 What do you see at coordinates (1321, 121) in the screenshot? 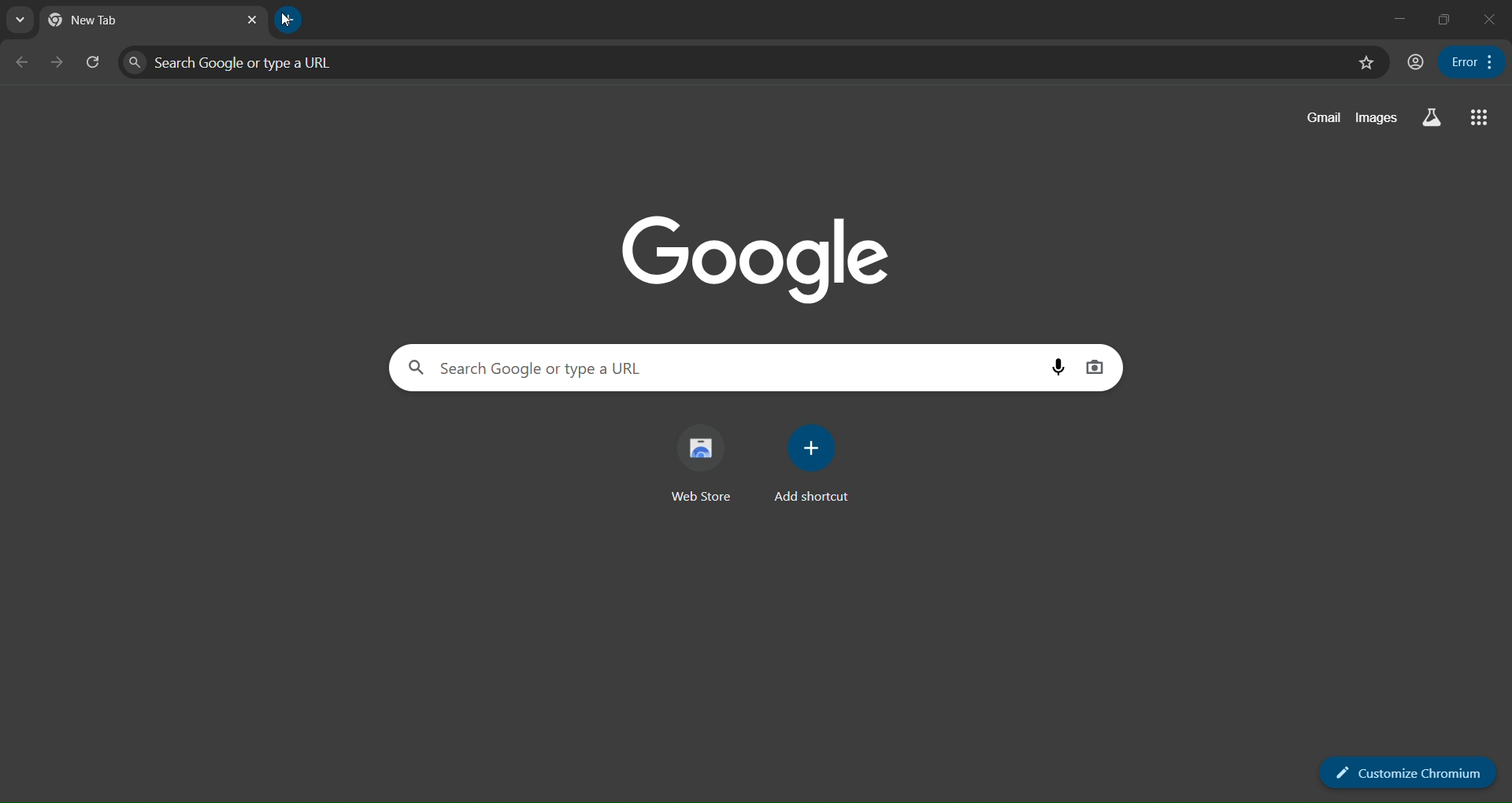
I see `gmail` at bounding box center [1321, 121].